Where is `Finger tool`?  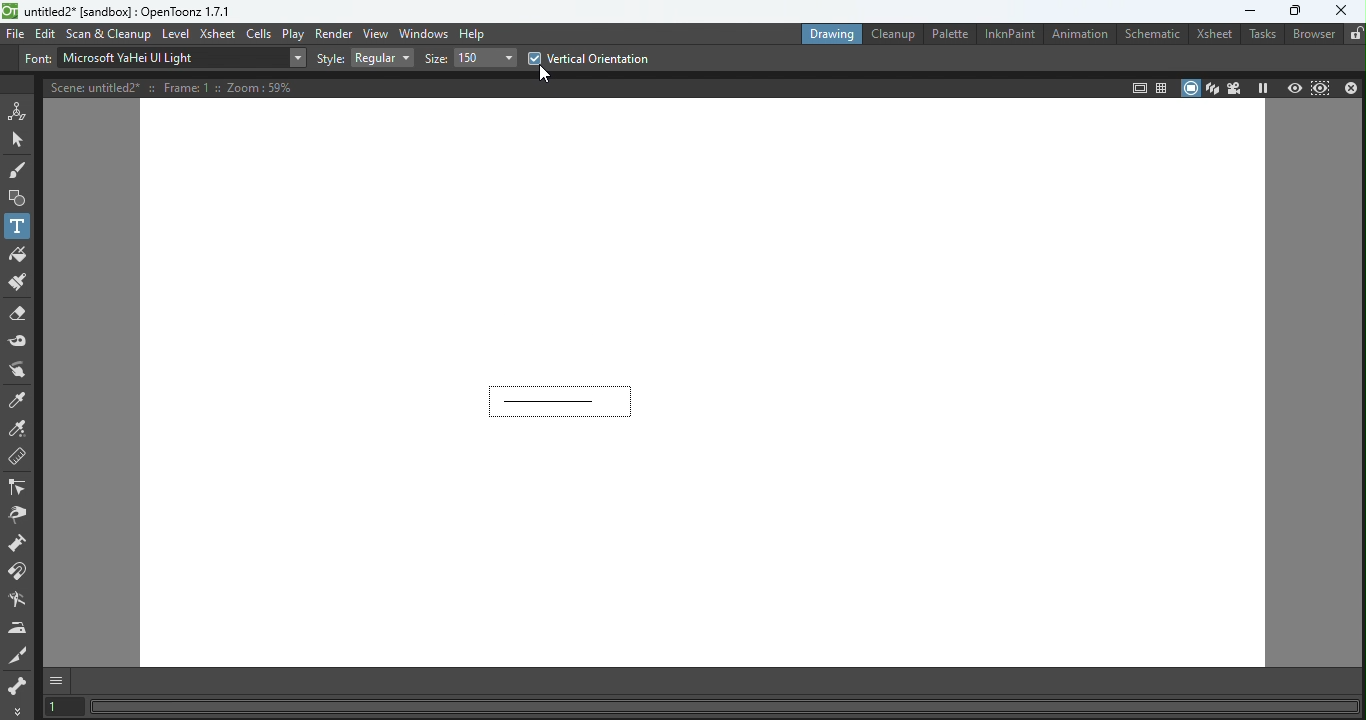
Finger tool is located at coordinates (19, 369).